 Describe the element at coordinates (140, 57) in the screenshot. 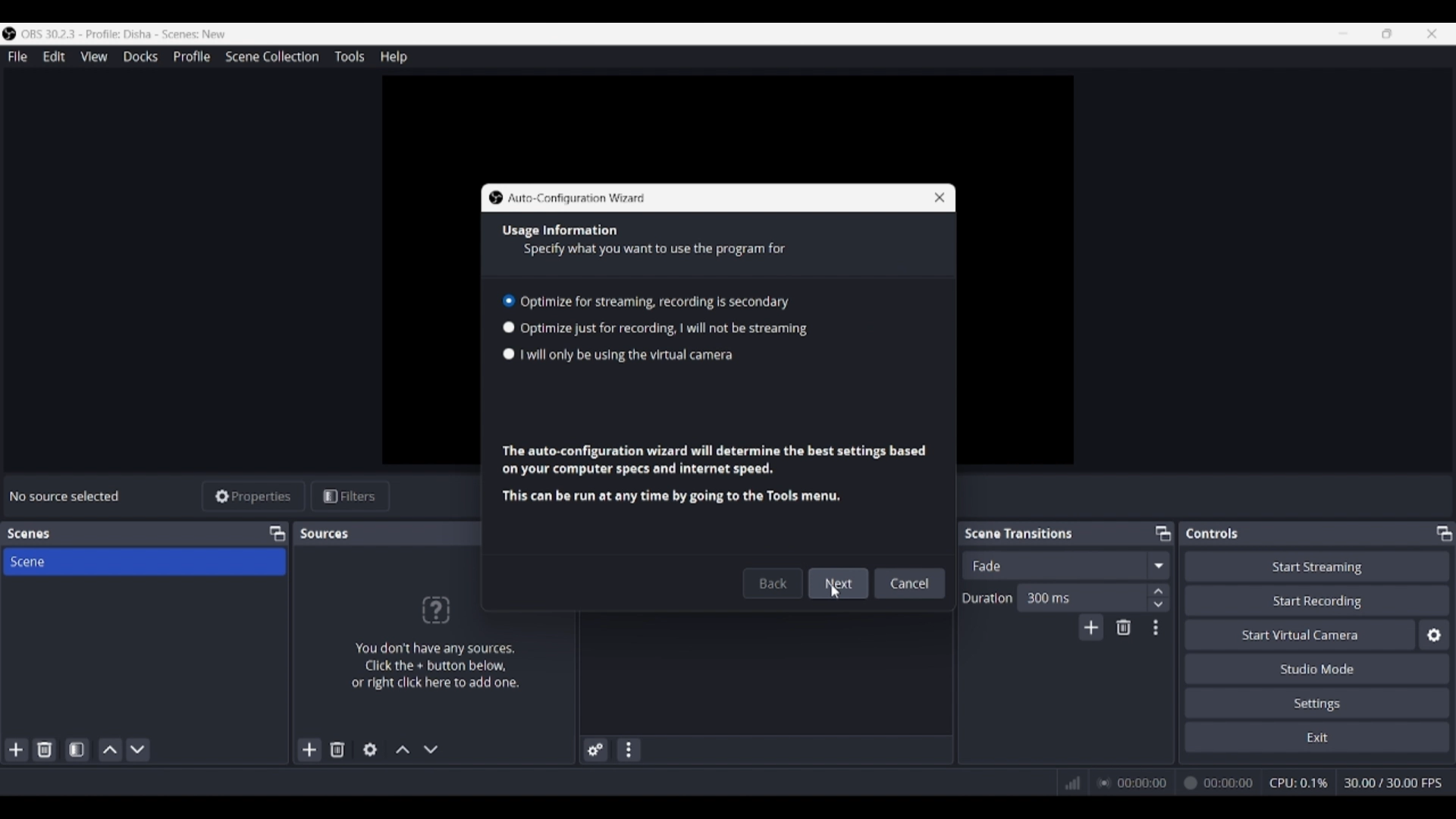

I see `Docks menu` at that location.